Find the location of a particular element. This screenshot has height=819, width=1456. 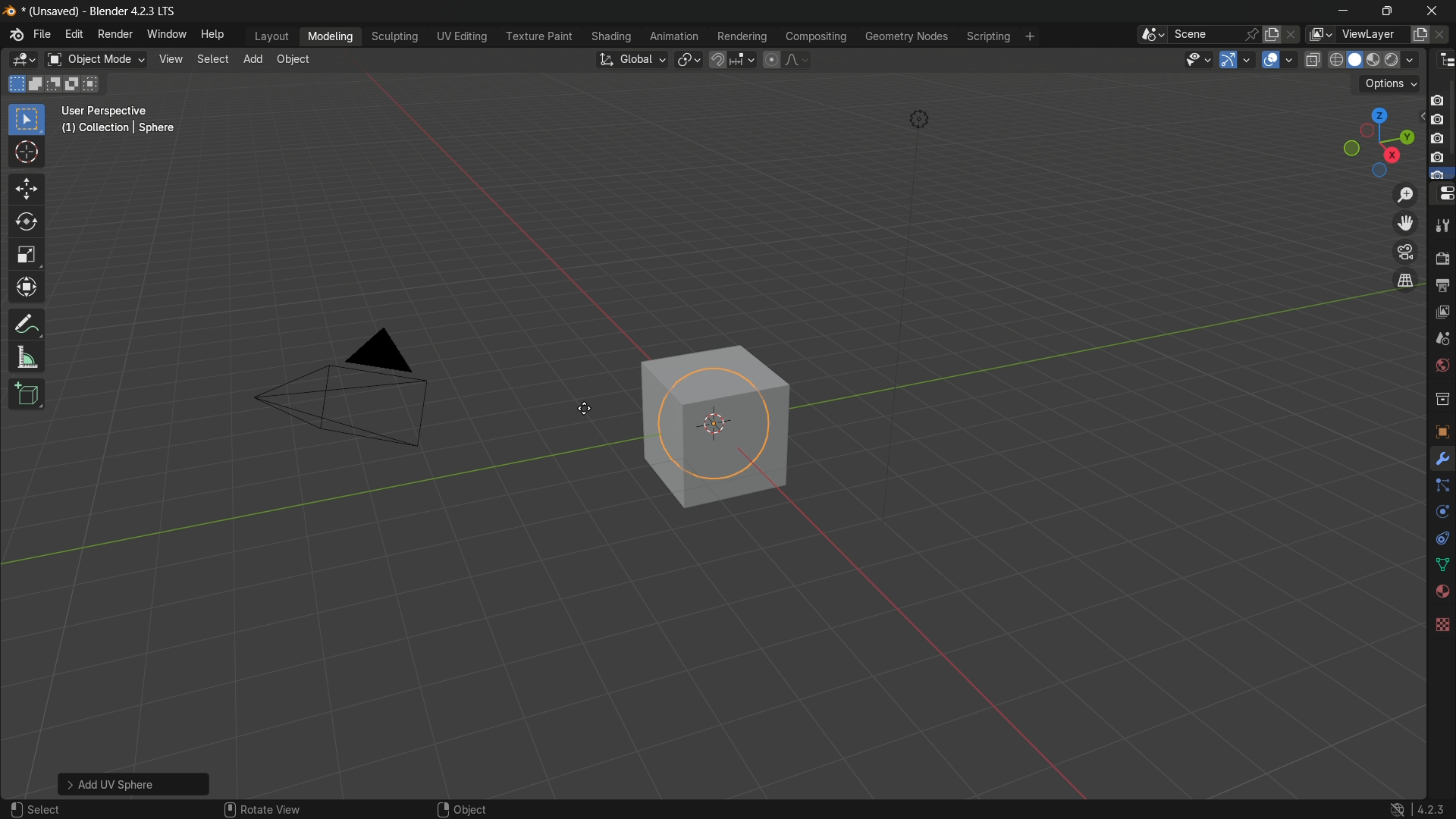

cursor is located at coordinates (584, 406).